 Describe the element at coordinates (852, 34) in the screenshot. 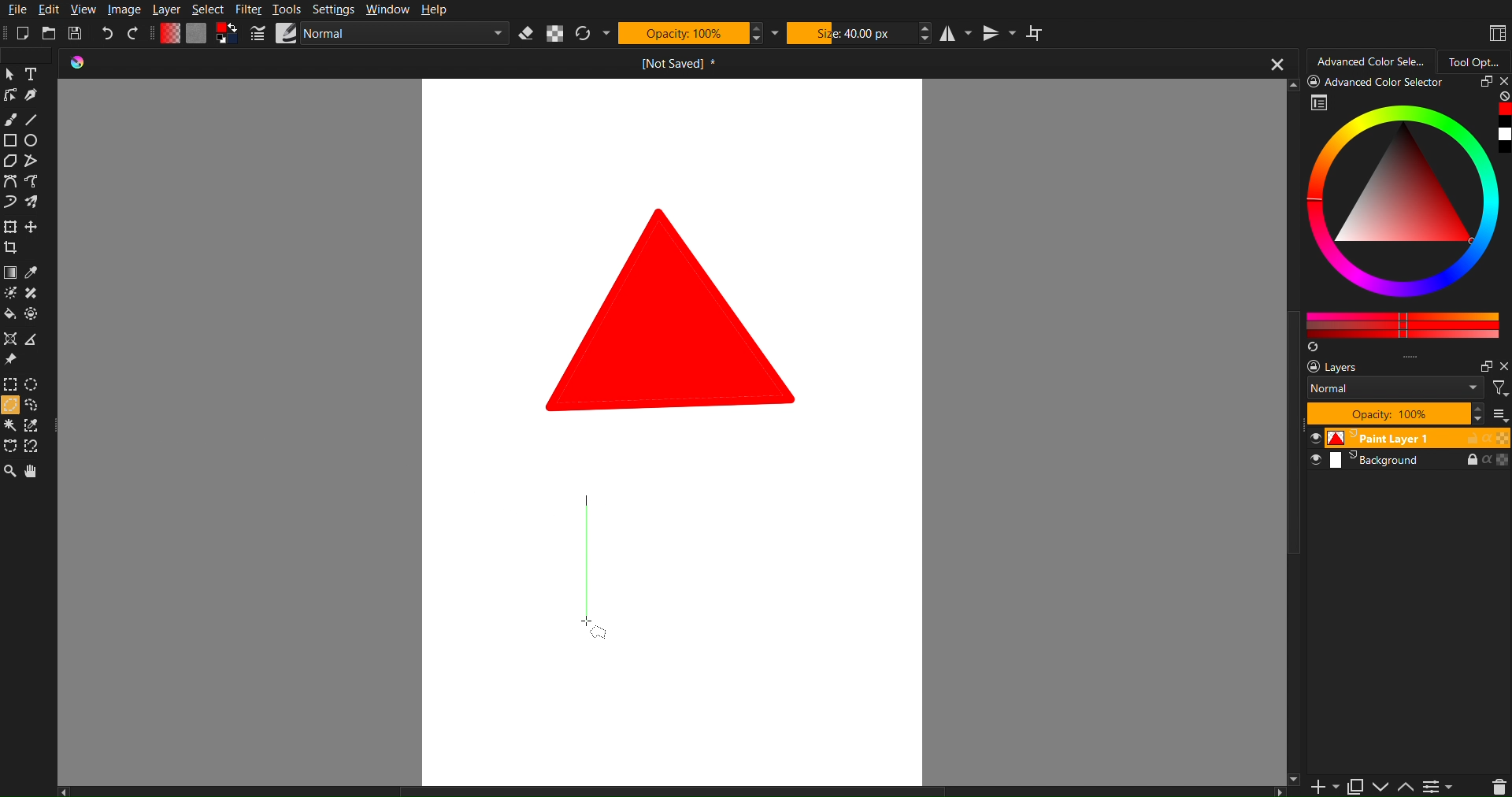

I see `Size` at that location.